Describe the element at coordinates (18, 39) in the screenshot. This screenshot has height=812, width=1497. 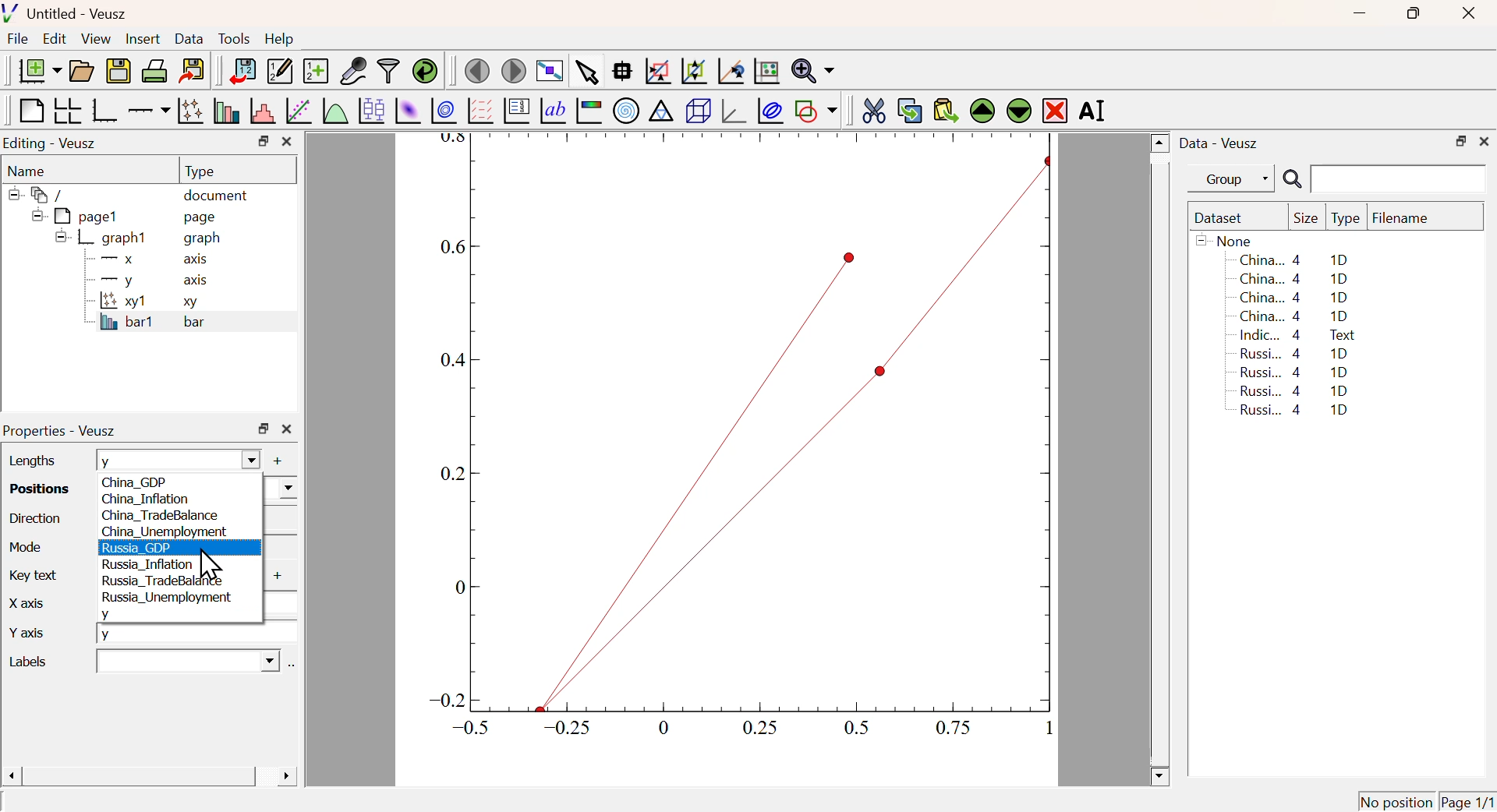
I see `File` at that location.